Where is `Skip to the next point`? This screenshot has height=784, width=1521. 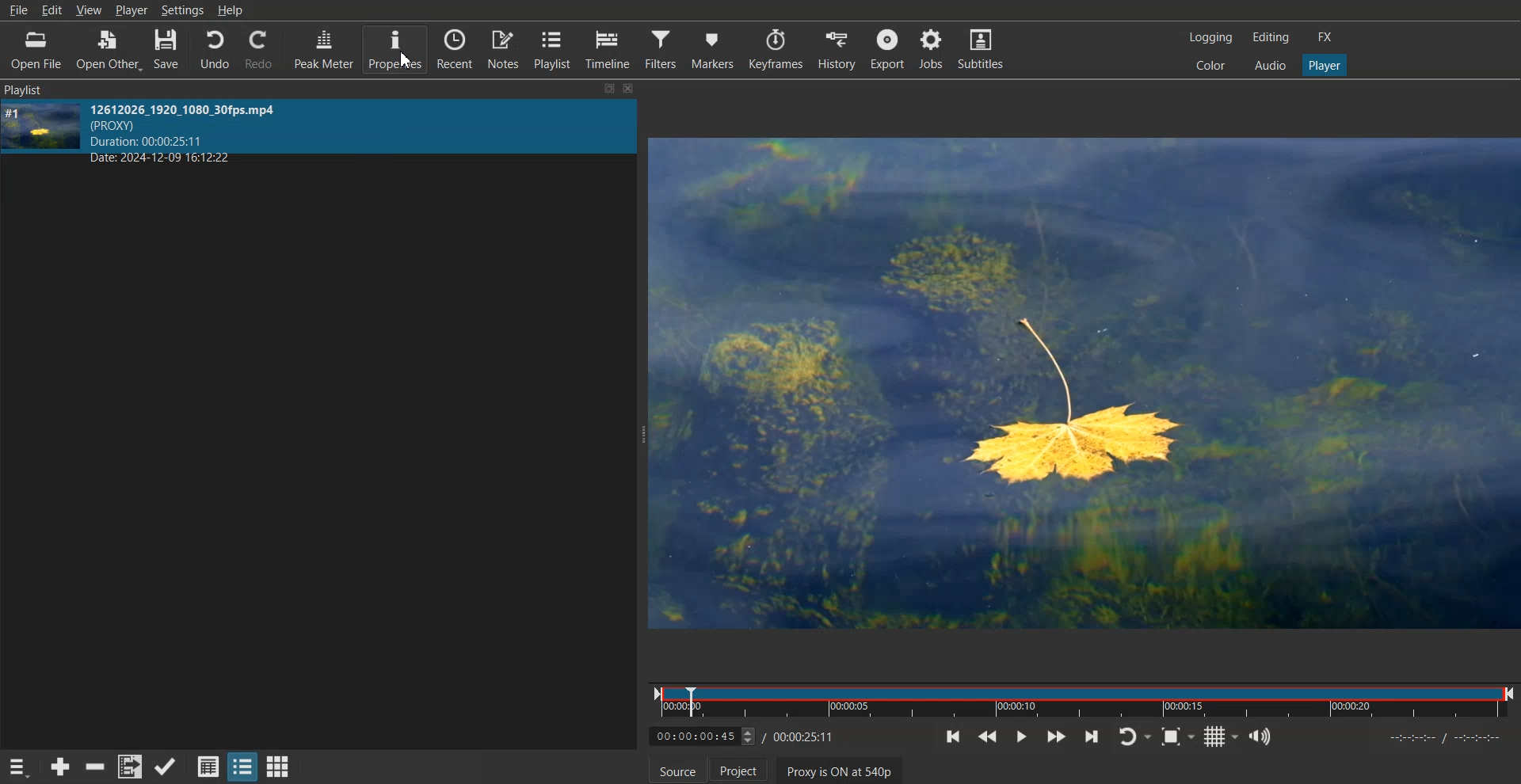
Skip to the next point is located at coordinates (1092, 736).